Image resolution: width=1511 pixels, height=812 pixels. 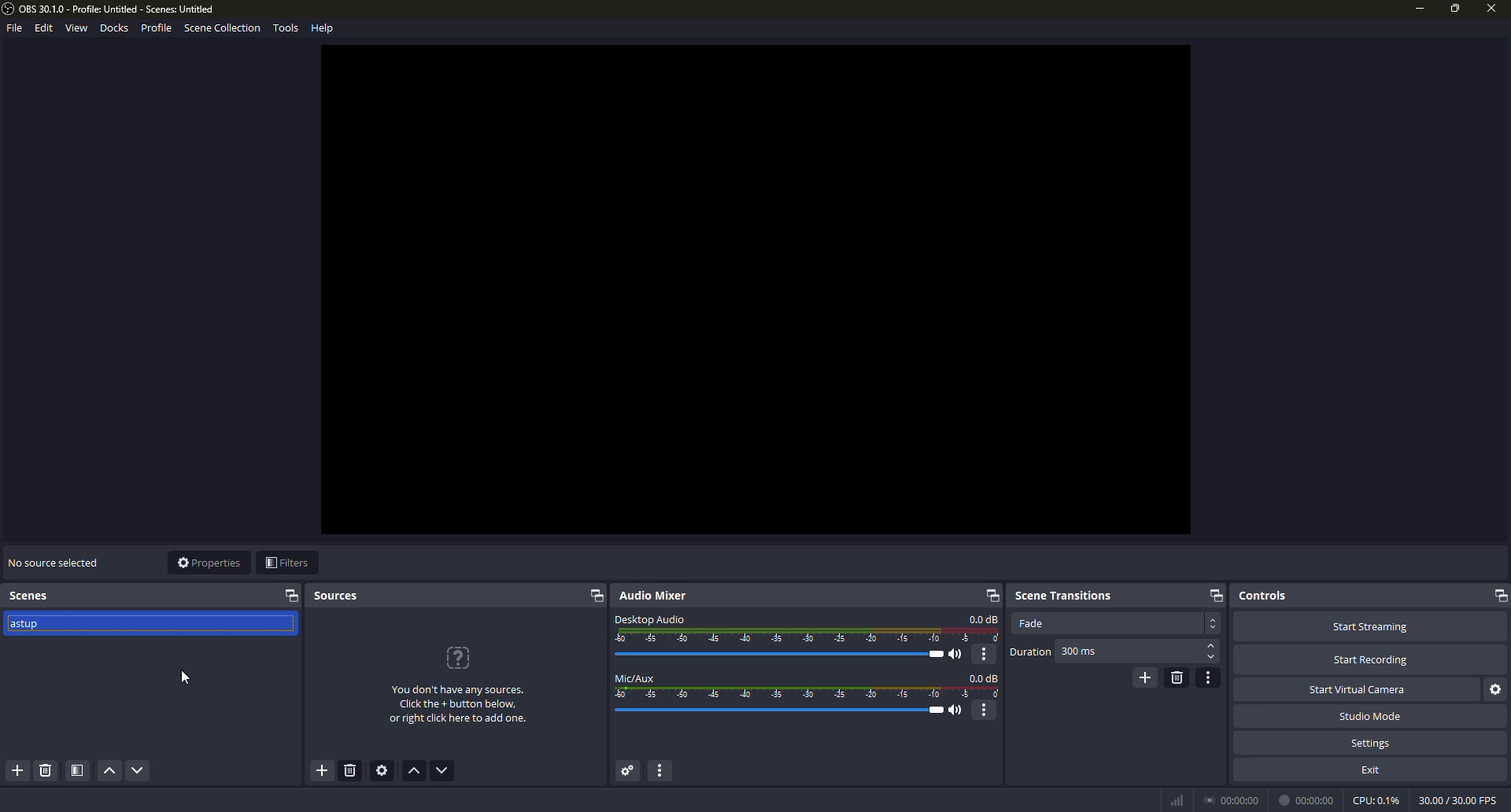 I want to click on db, so click(x=984, y=619).